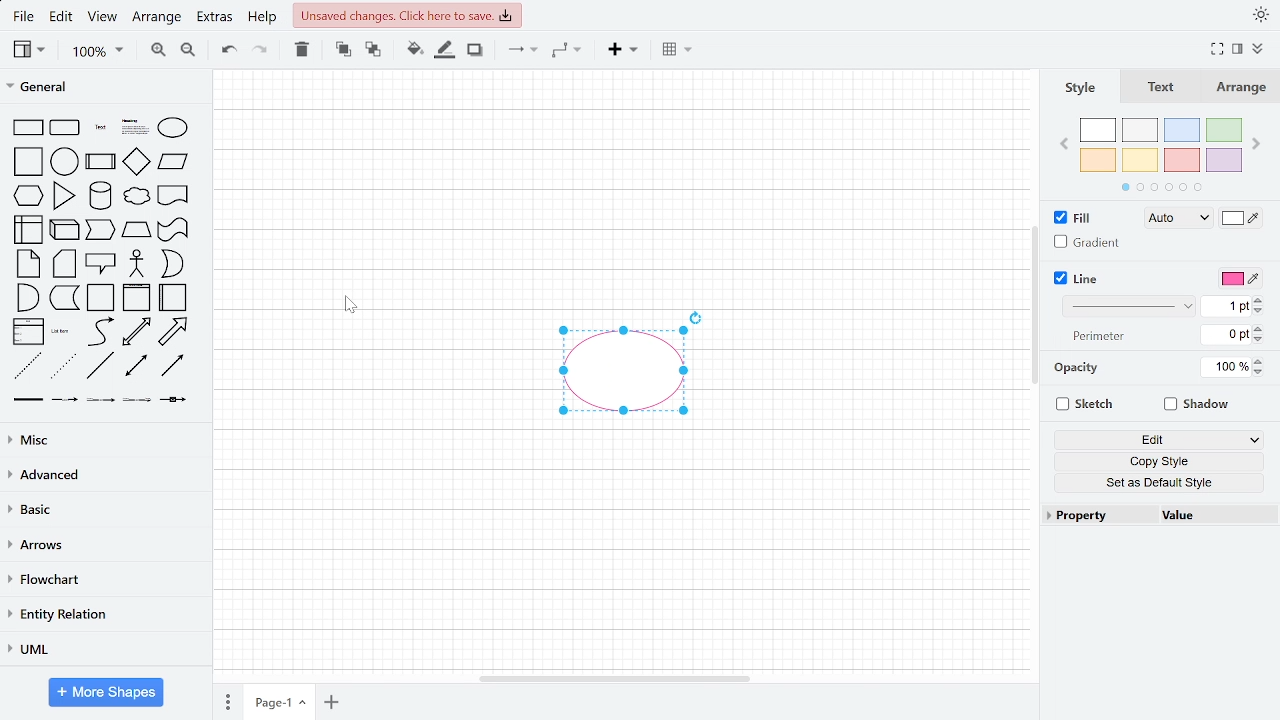  Describe the element at coordinates (158, 20) in the screenshot. I see `arrange` at that location.